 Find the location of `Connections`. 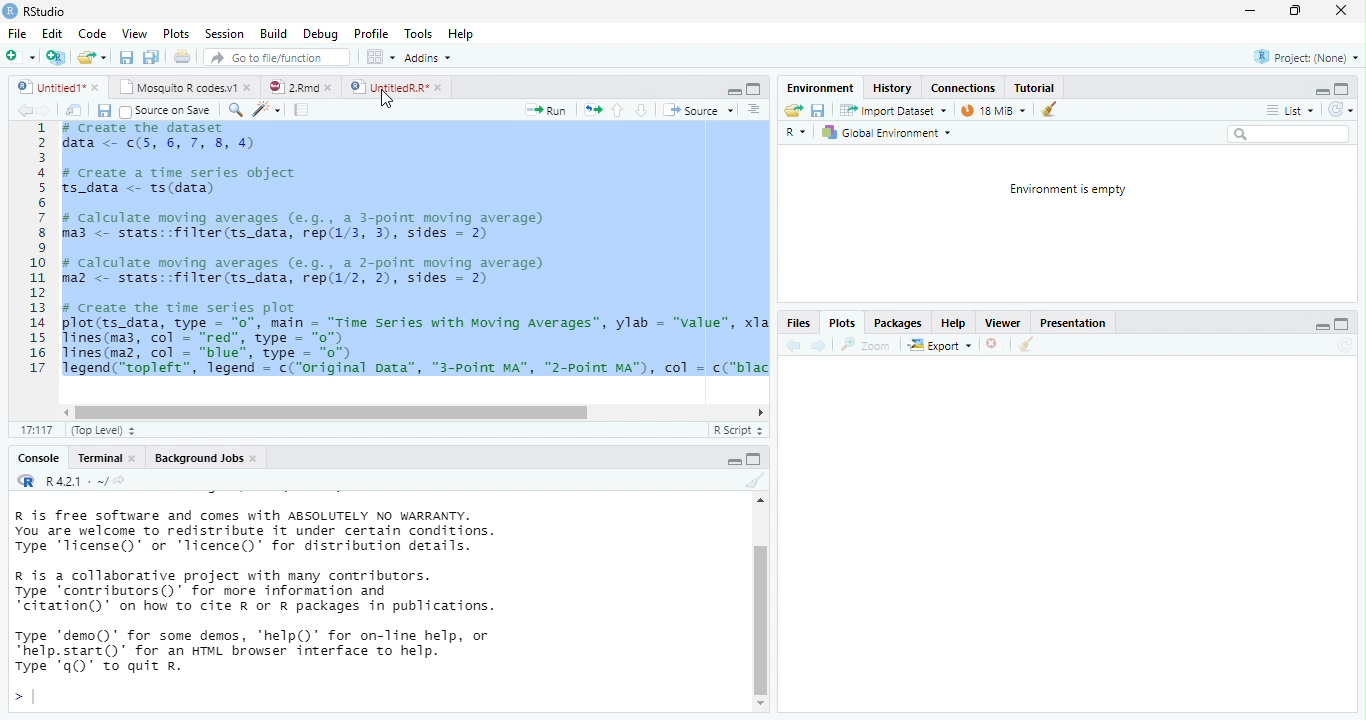

Connections is located at coordinates (962, 88).